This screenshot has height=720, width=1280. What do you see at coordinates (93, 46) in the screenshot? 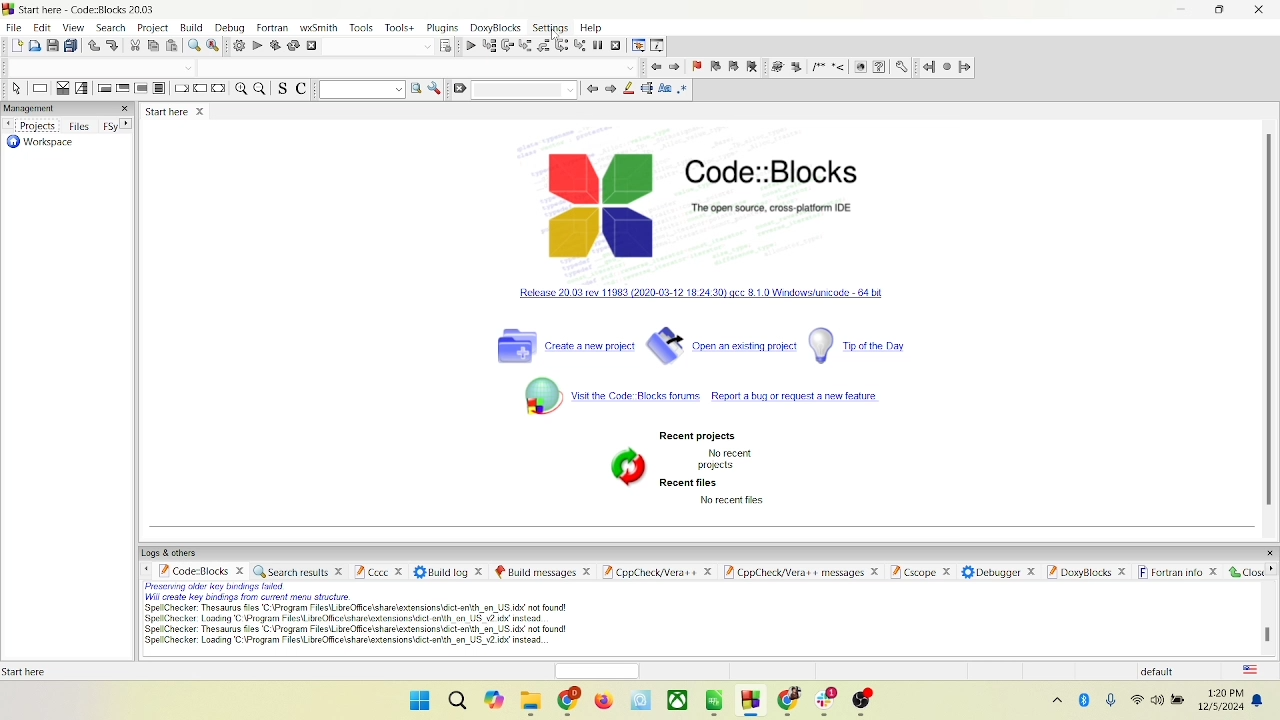
I see `undo` at bounding box center [93, 46].